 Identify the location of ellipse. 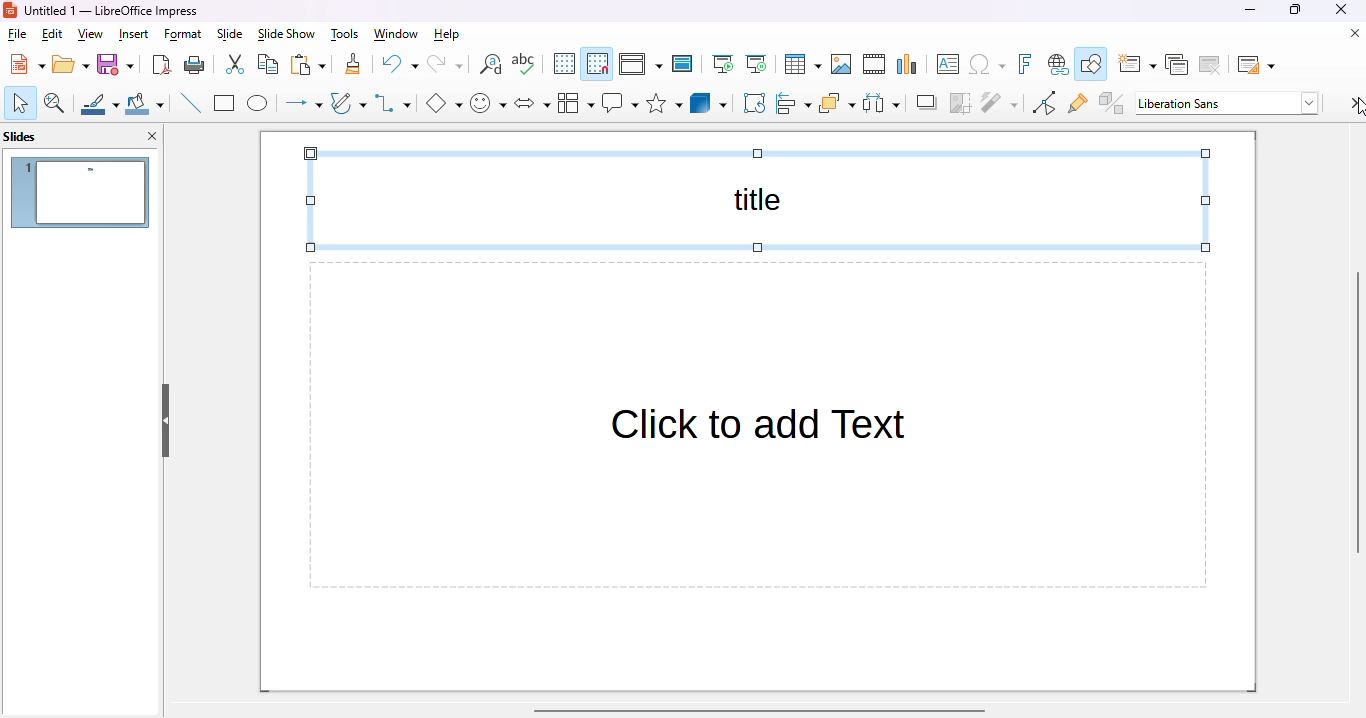
(258, 104).